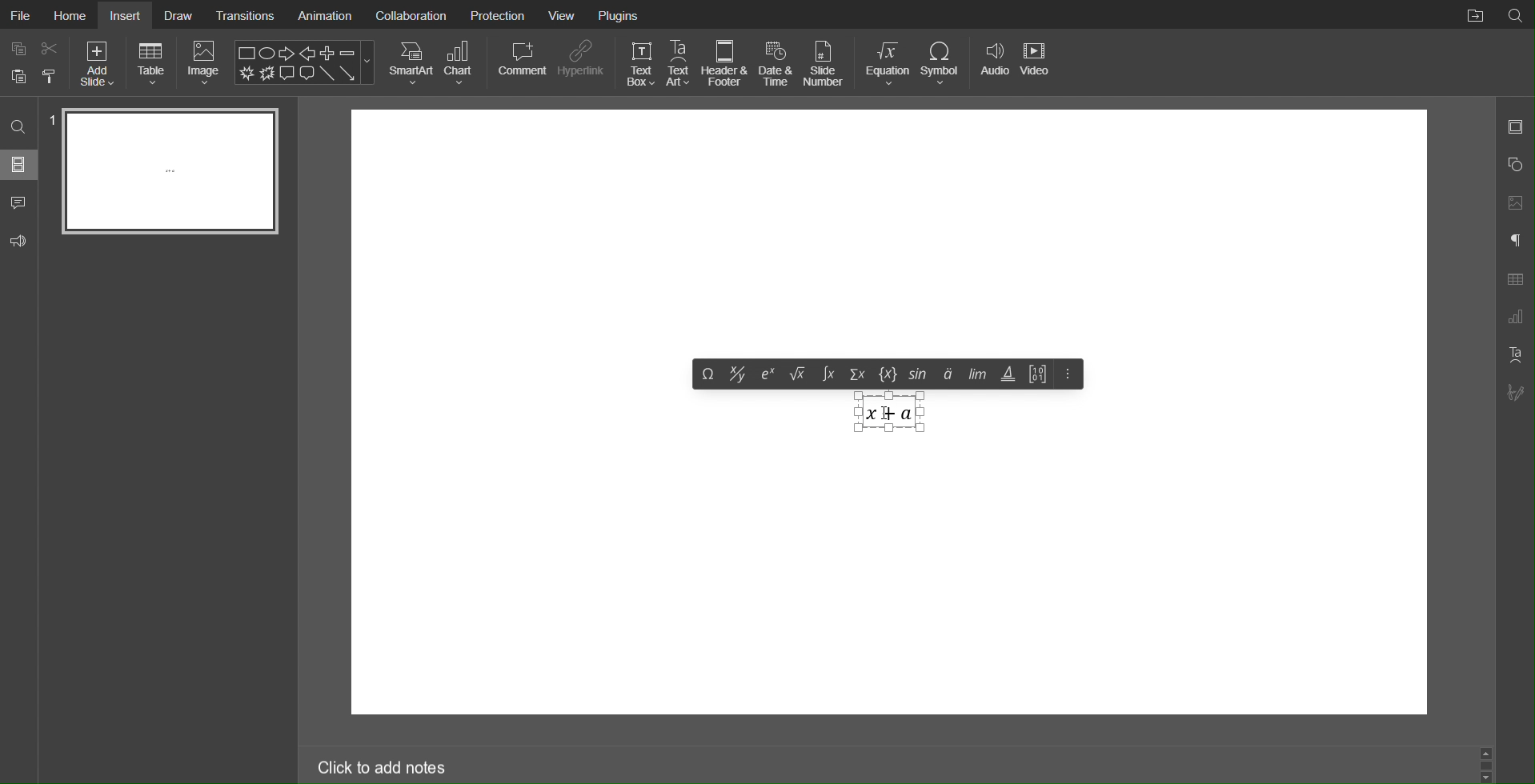  Describe the element at coordinates (828, 62) in the screenshot. I see `Slide Number ` at that location.